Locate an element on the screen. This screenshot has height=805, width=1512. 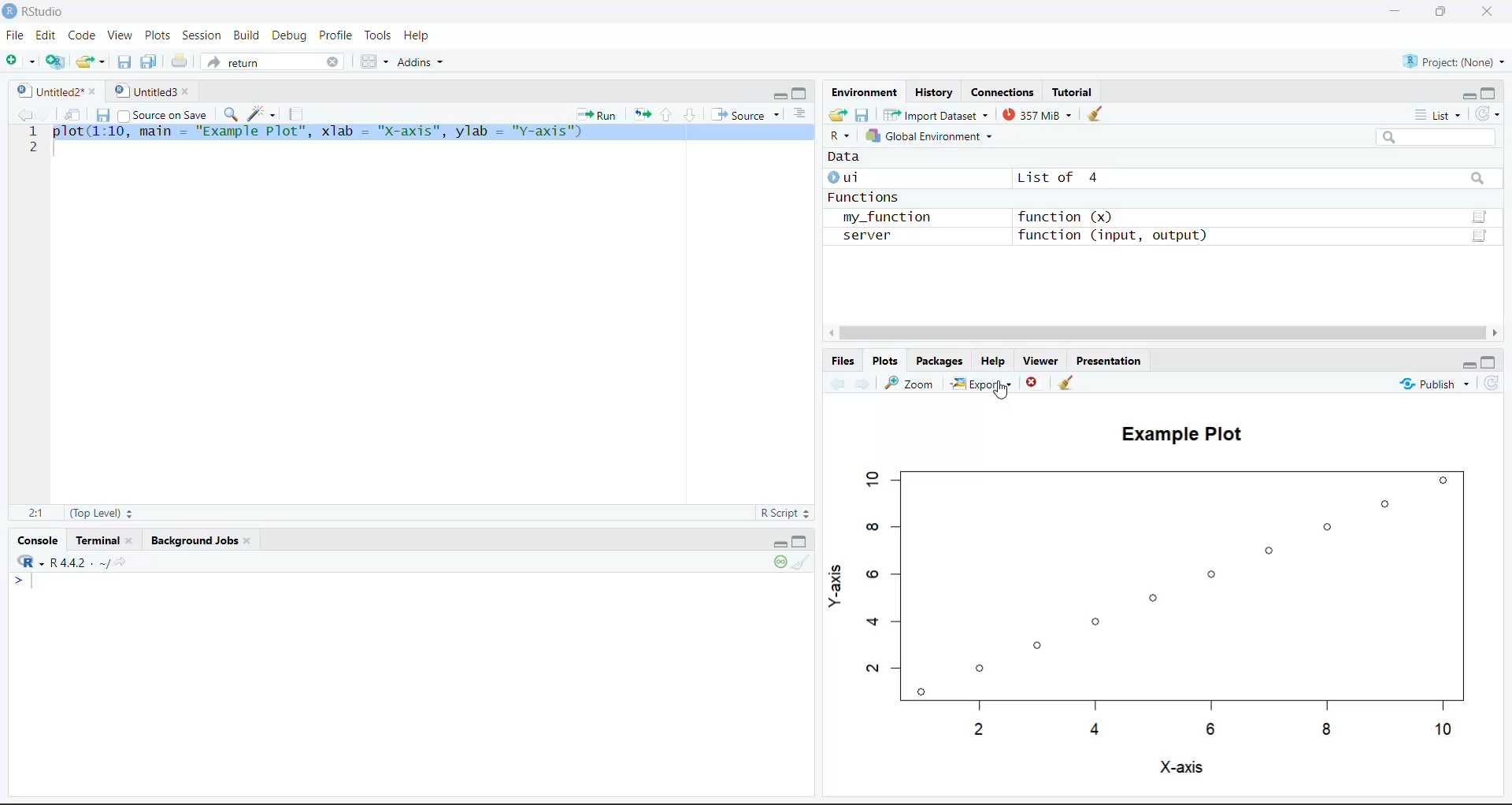
Explore is located at coordinates (984, 382).